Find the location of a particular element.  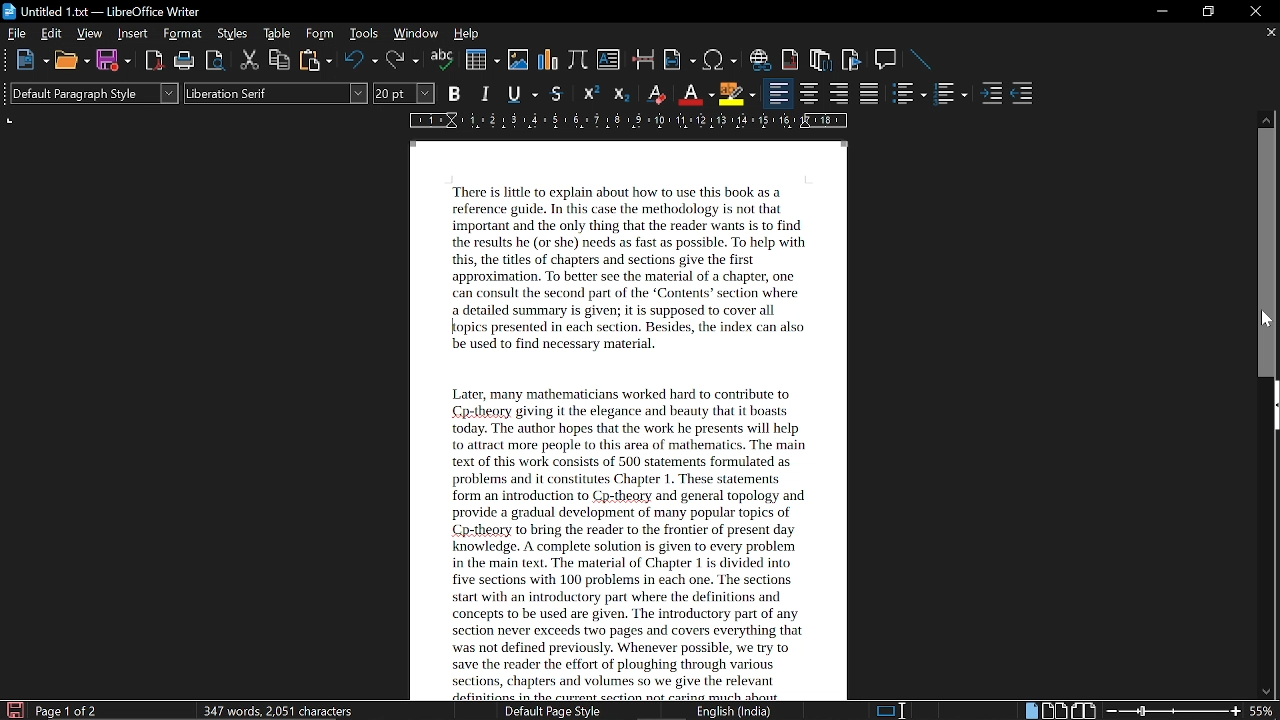

view is located at coordinates (90, 33).